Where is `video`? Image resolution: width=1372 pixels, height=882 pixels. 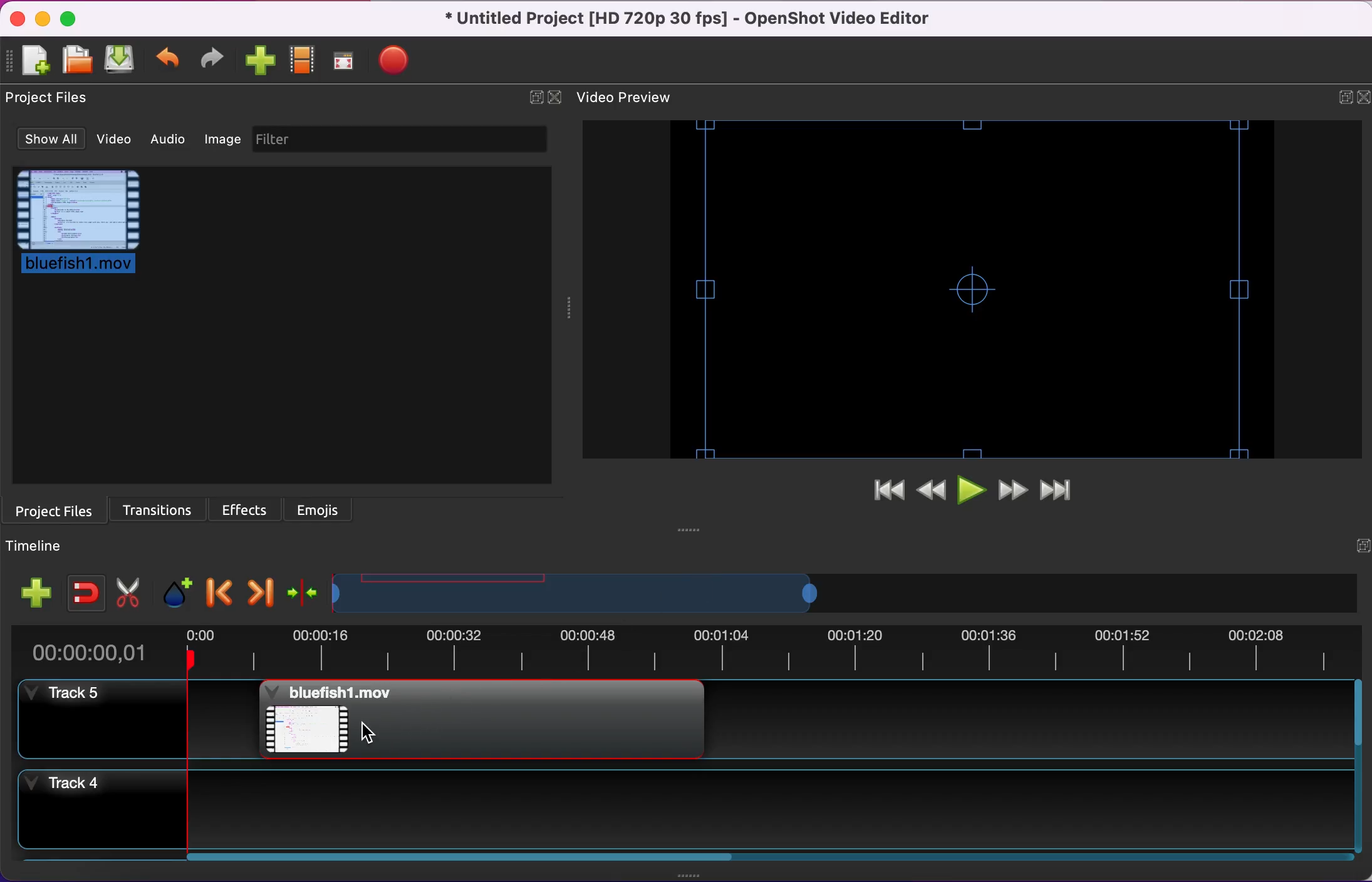 video is located at coordinates (107, 139).